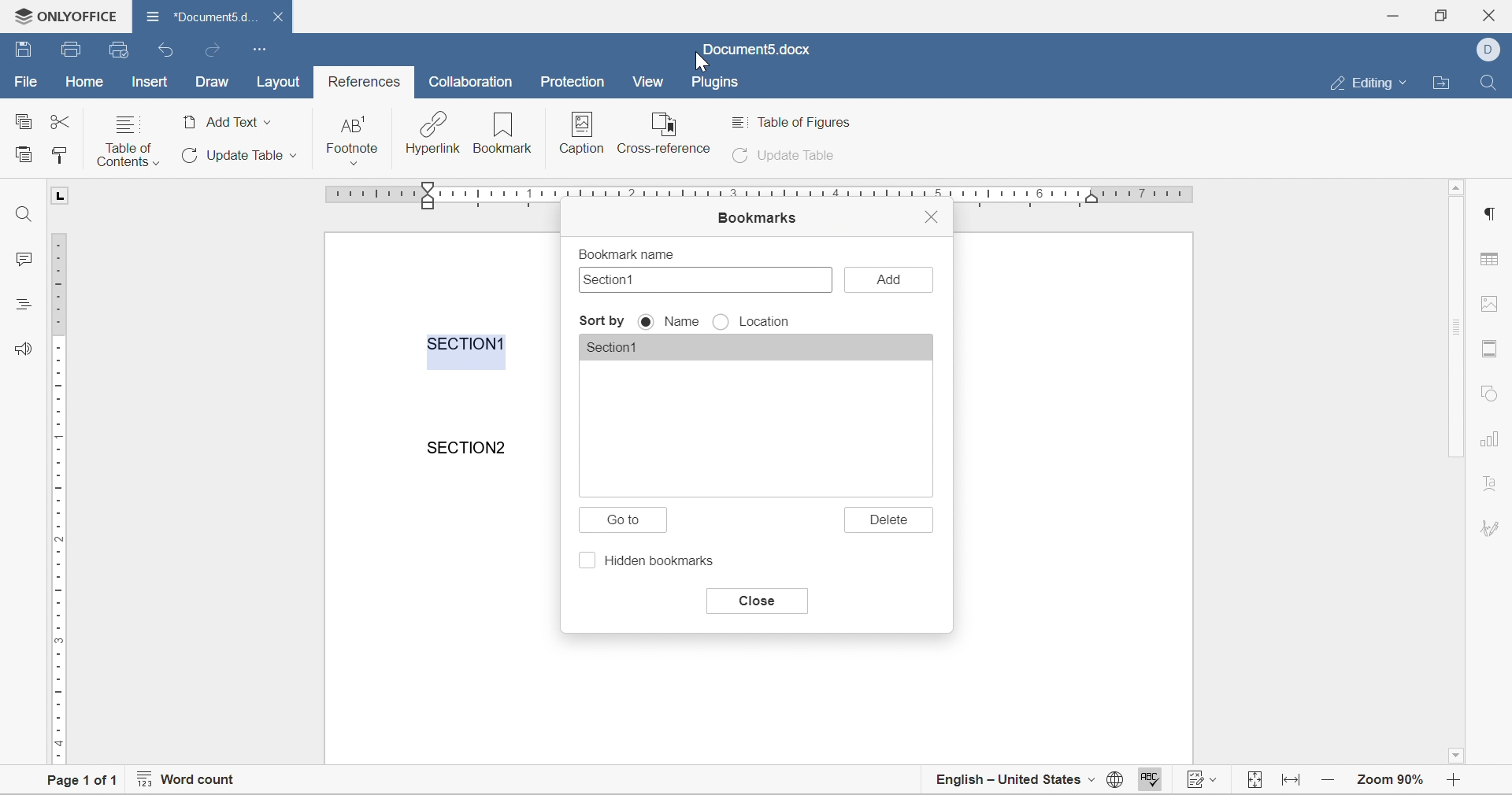  I want to click on zoom in, so click(1330, 778).